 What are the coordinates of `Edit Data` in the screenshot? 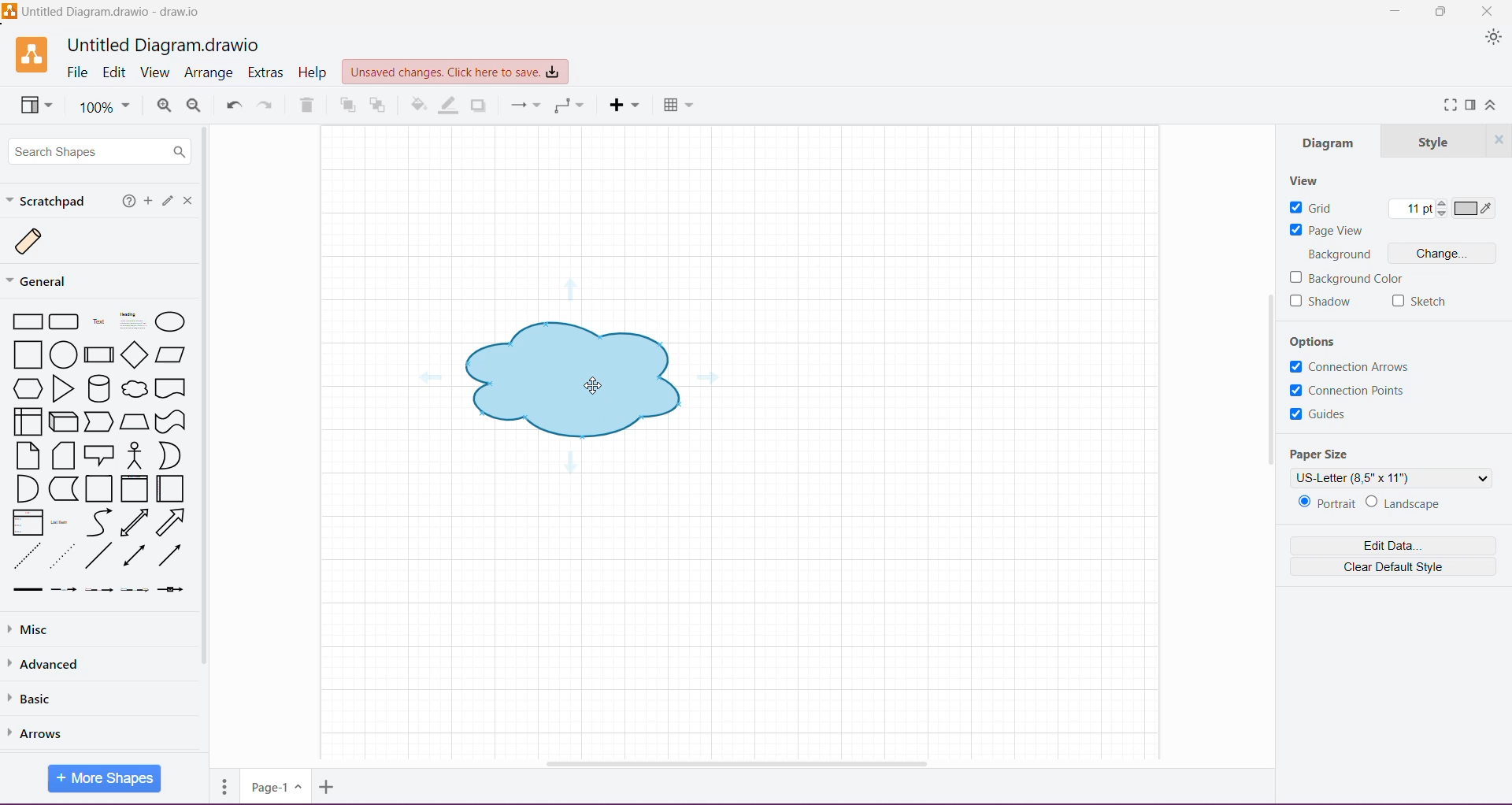 It's located at (1394, 545).